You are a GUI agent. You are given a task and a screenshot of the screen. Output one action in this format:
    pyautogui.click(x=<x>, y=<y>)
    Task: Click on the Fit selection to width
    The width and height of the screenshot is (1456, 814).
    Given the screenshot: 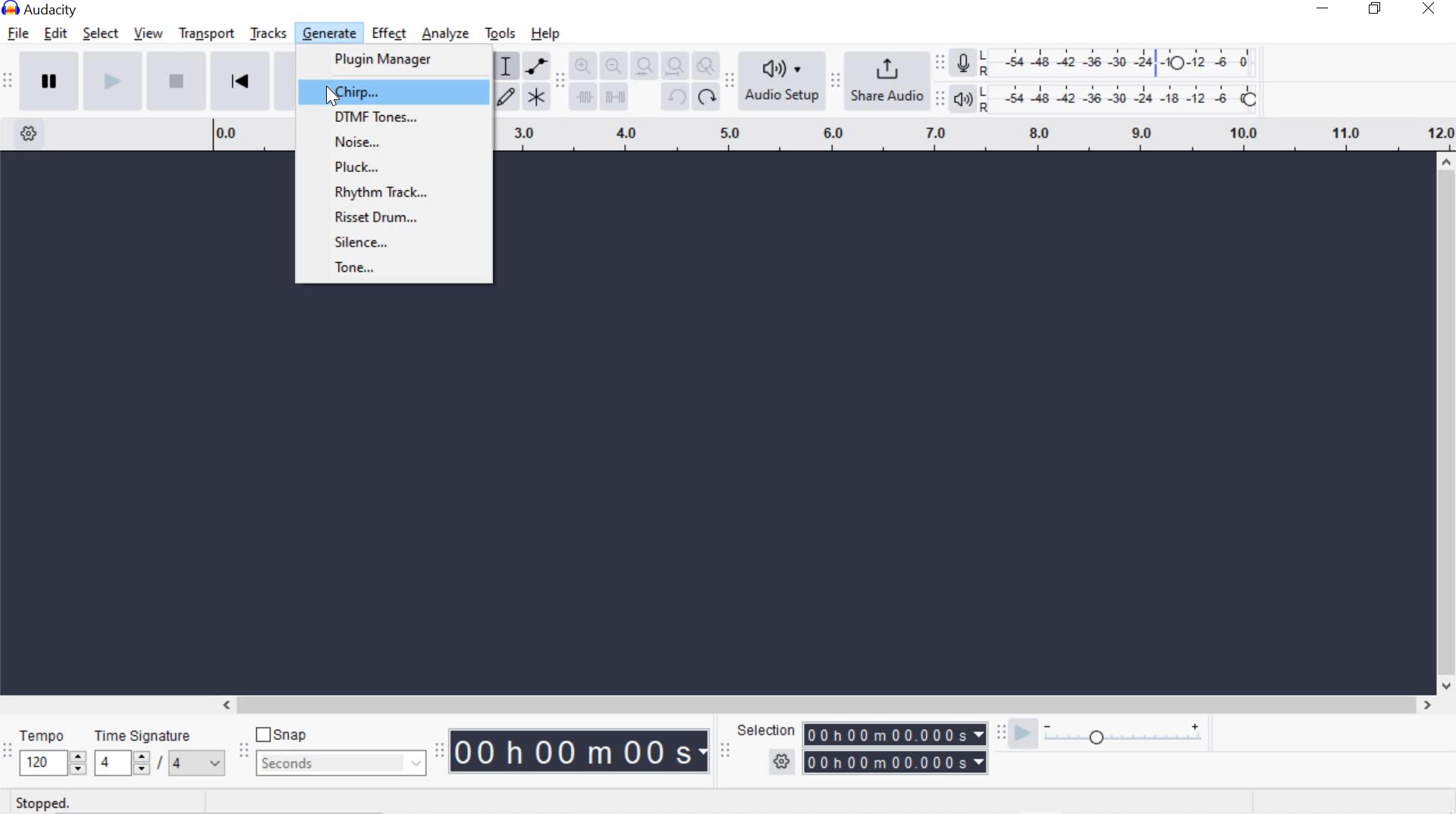 What is the action you would take?
    pyautogui.click(x=642, y=68)
    